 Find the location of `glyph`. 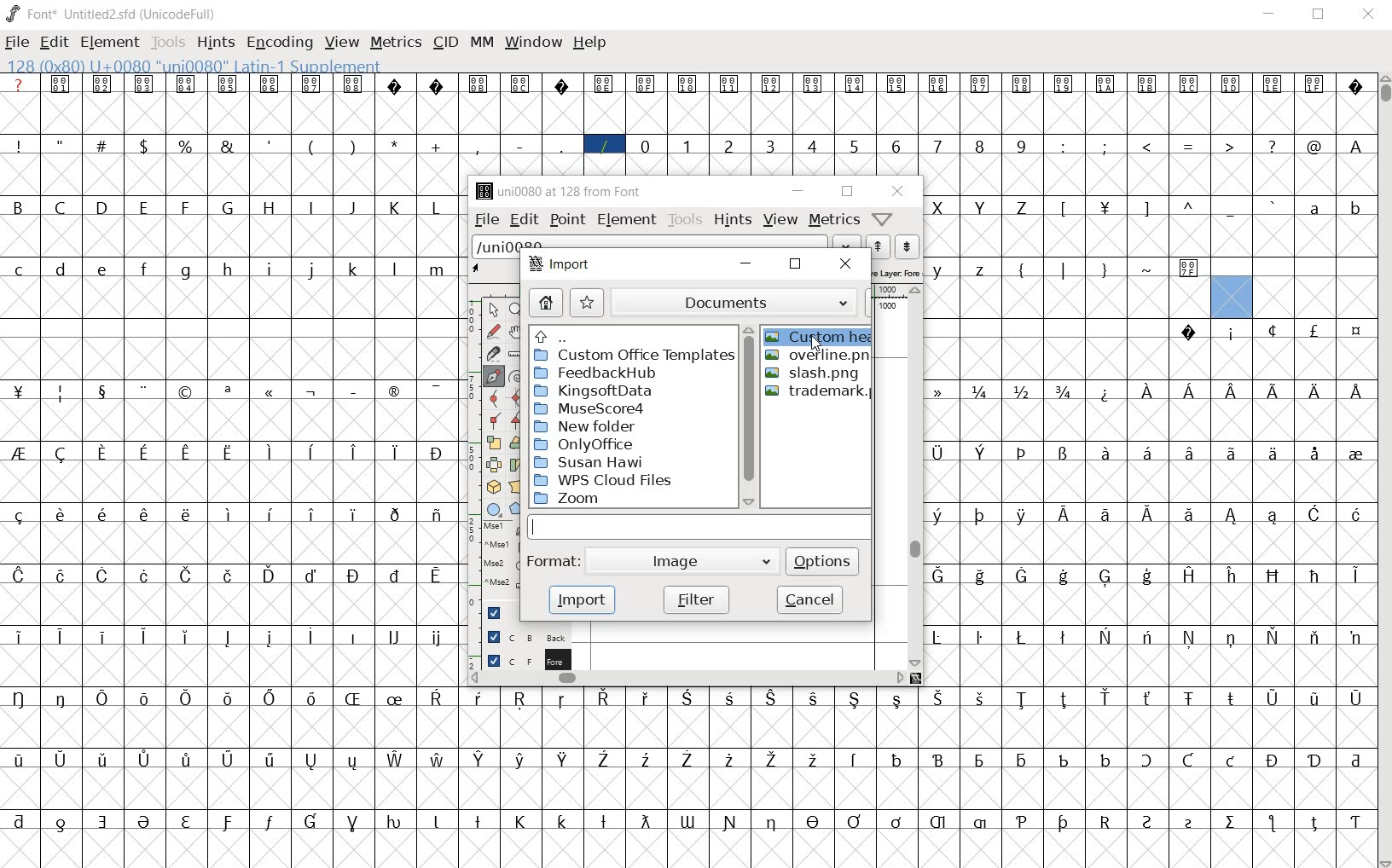

glyph is located at coordinates (271, 269).